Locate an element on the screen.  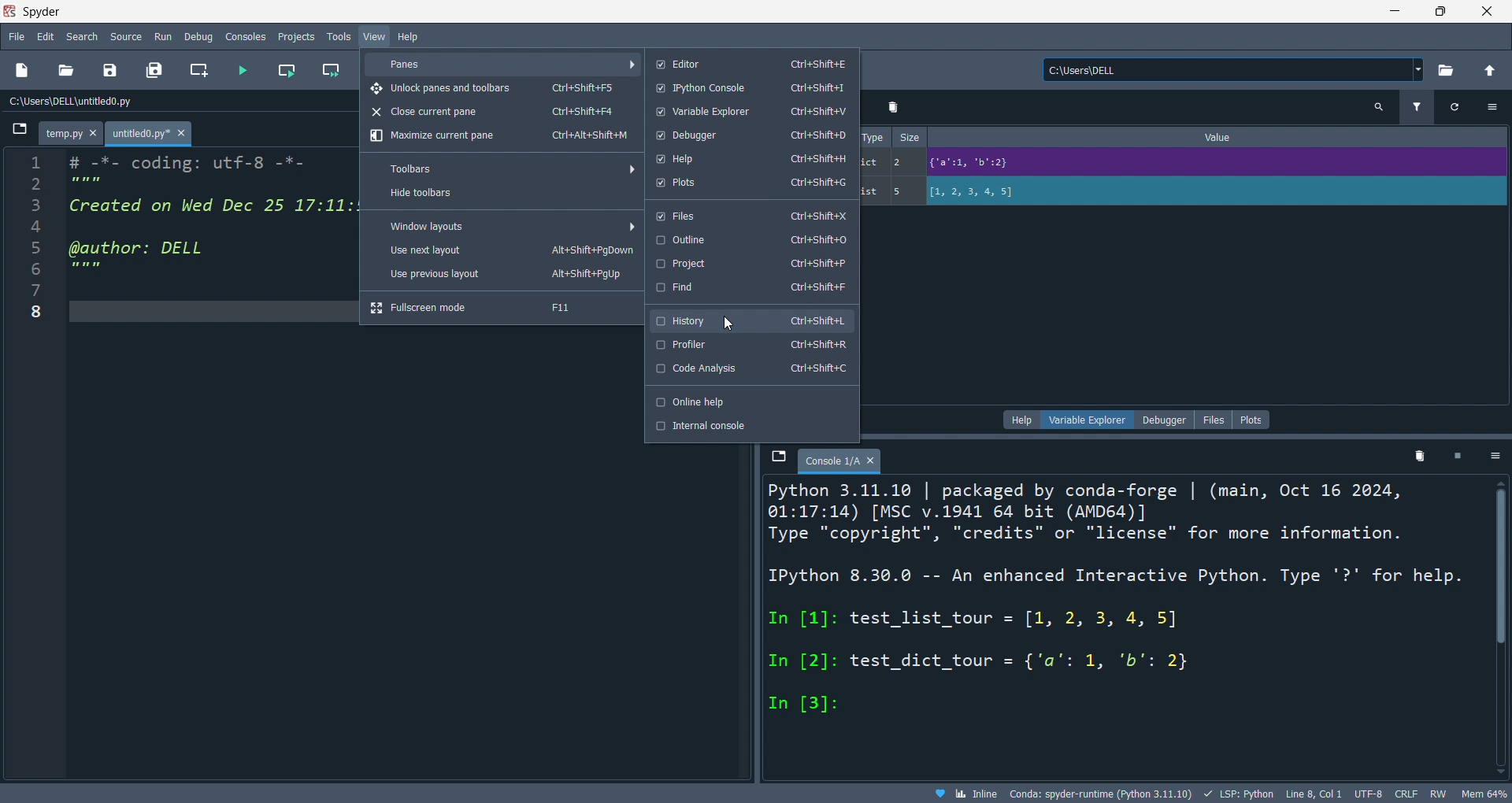
crlf is located at coordinates (1404, 794).